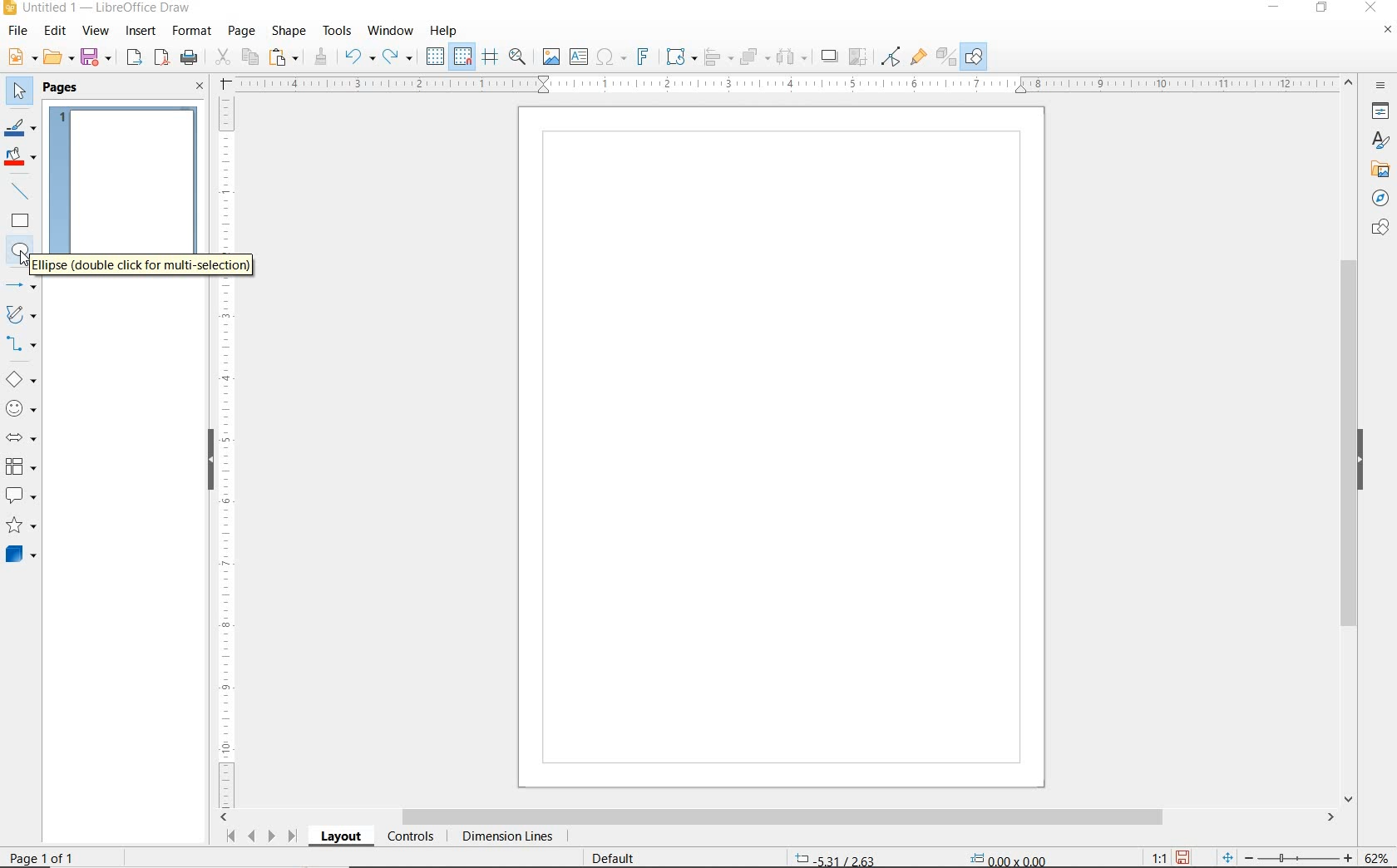 This screenshot has height=868, width=1397. Describe the element at coordinates (285, 57) in the screenshot. I see `PASTE` at that location.